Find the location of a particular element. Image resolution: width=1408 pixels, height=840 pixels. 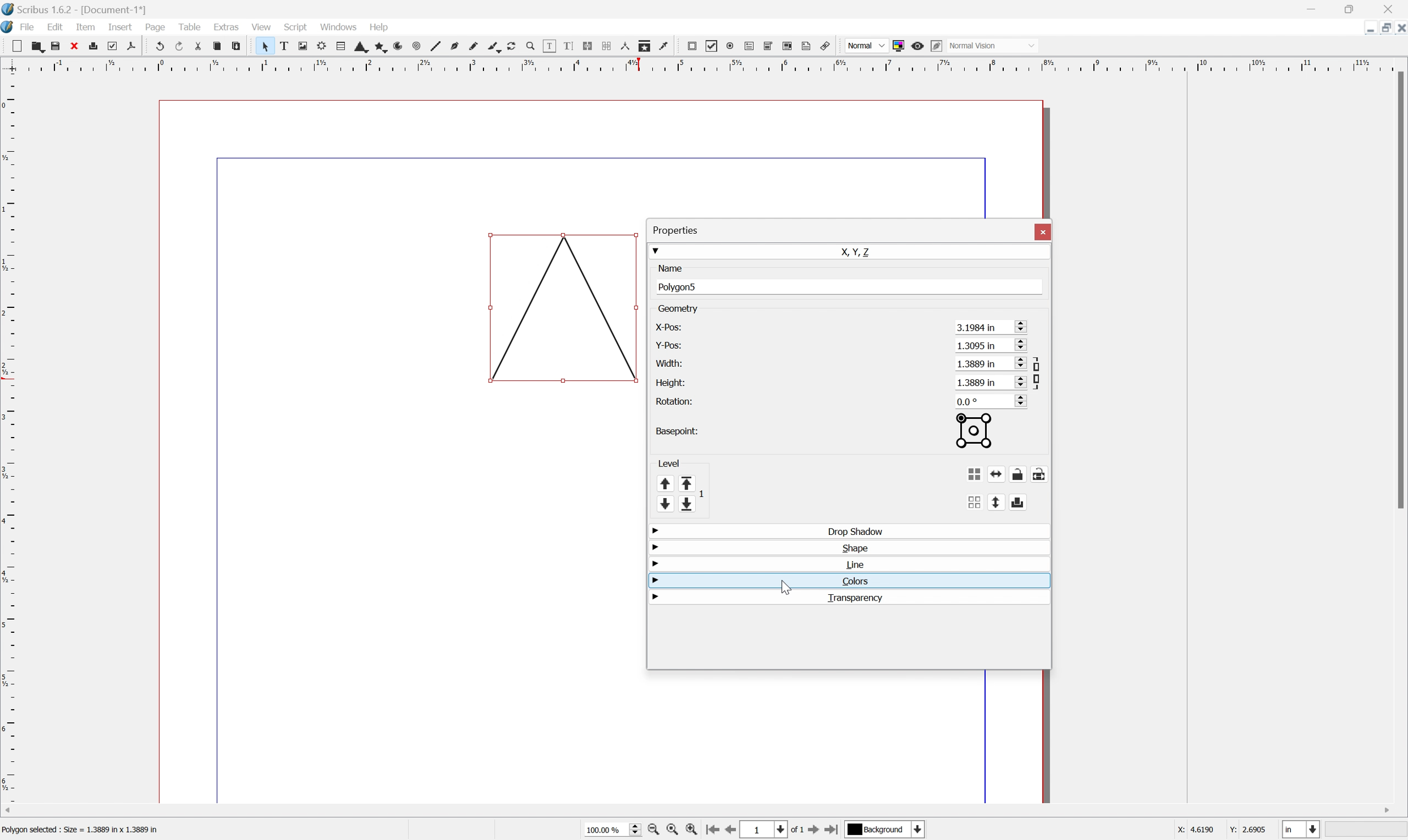

Drop Down is located at coordinates (654, 564).